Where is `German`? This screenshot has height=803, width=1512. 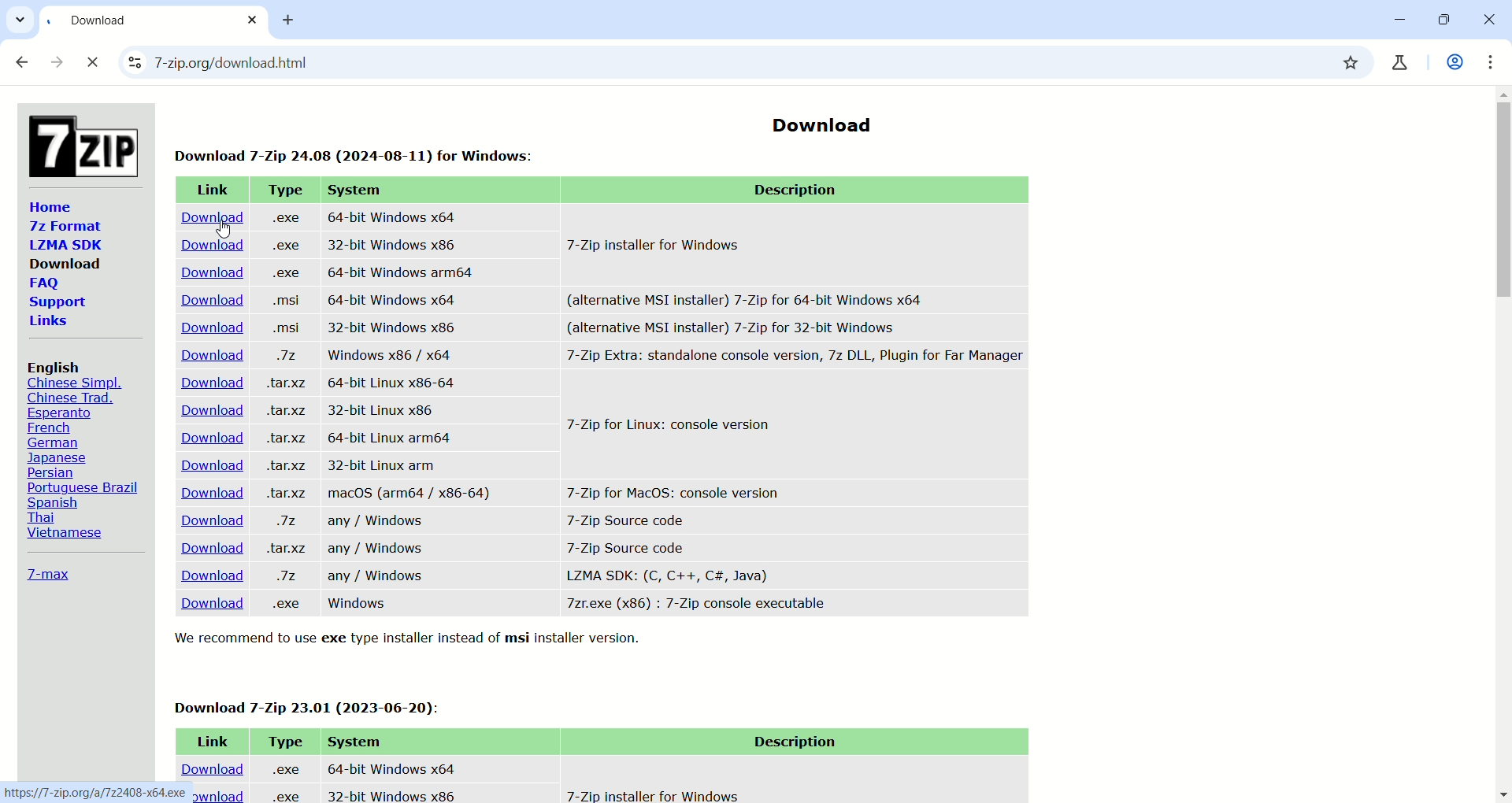 German is located at coordinates (57, 442).